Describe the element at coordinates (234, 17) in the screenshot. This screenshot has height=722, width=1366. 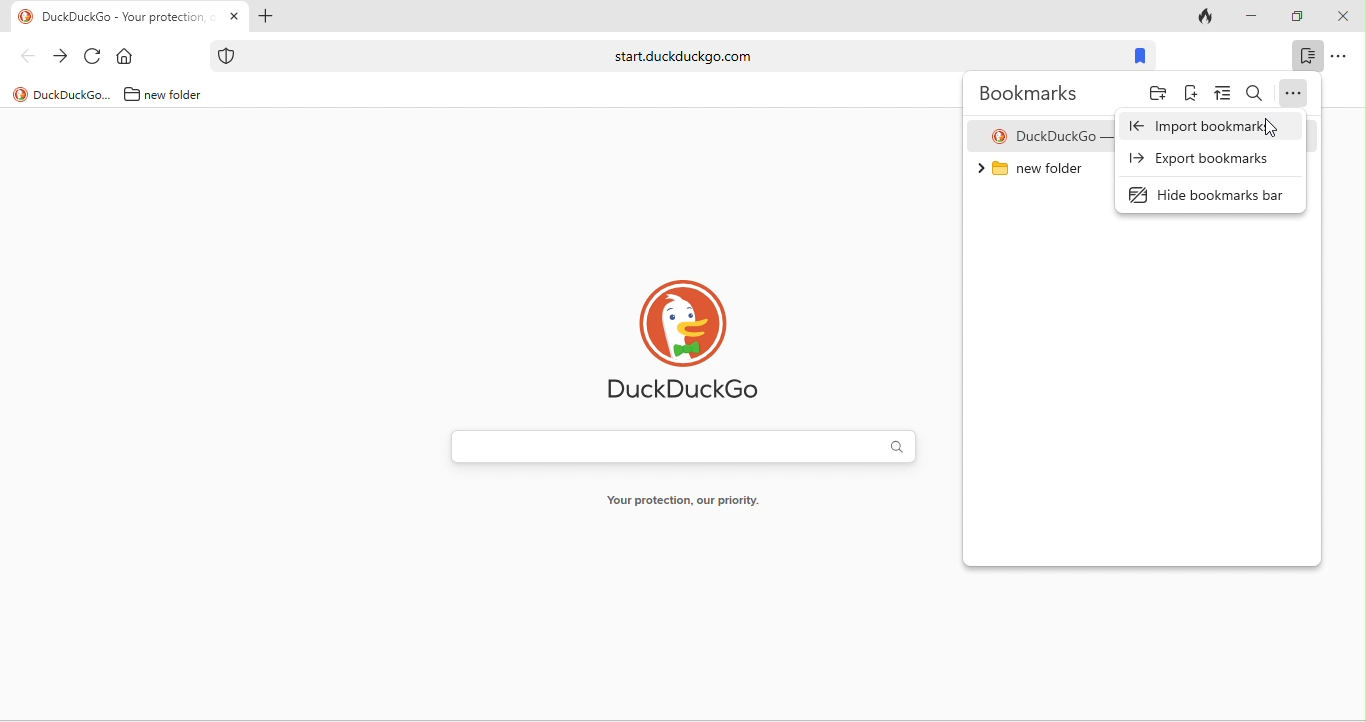
I see `close tab` at that location.